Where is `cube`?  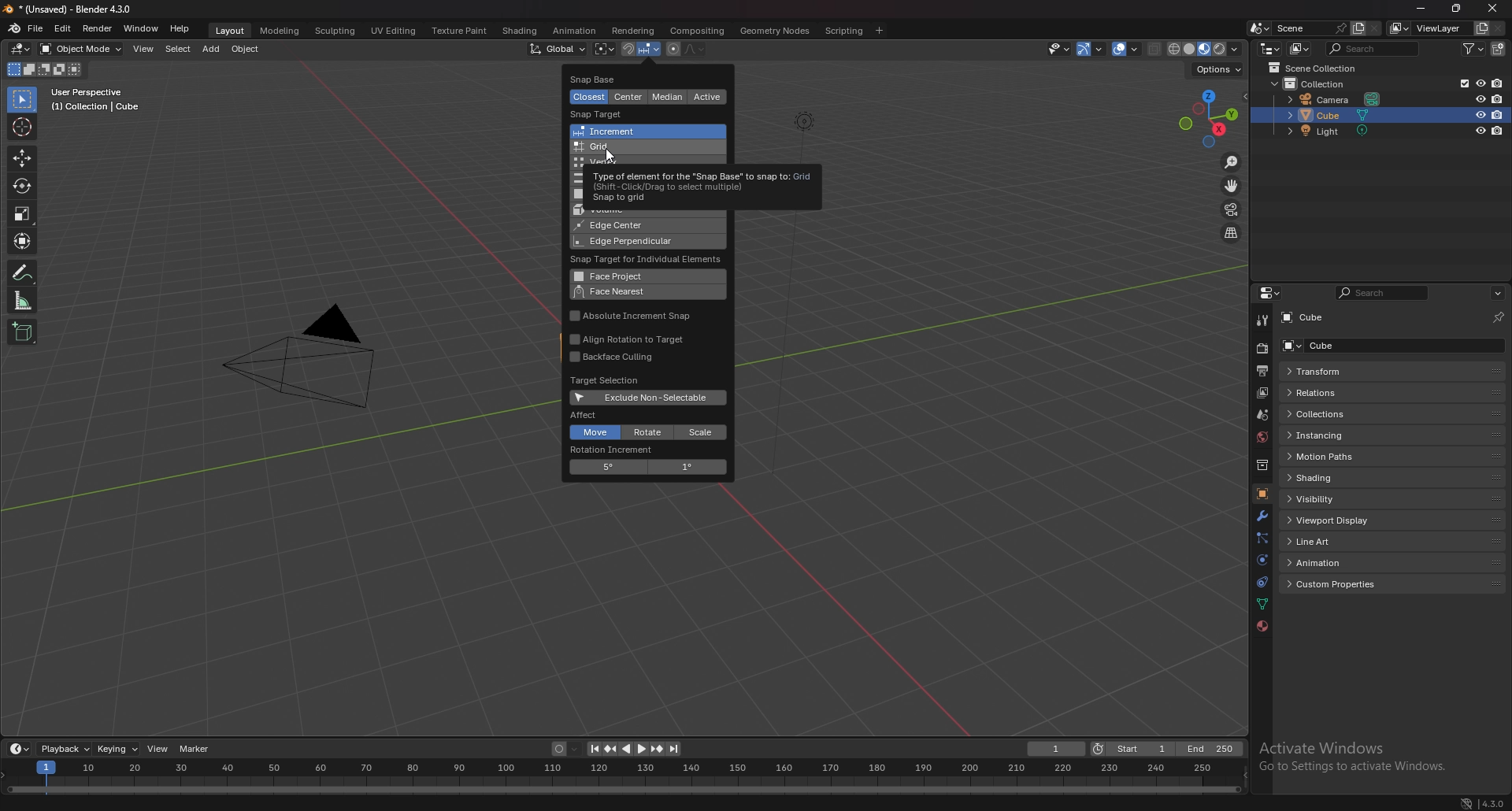 cube is located at coordinates (1332, 115).